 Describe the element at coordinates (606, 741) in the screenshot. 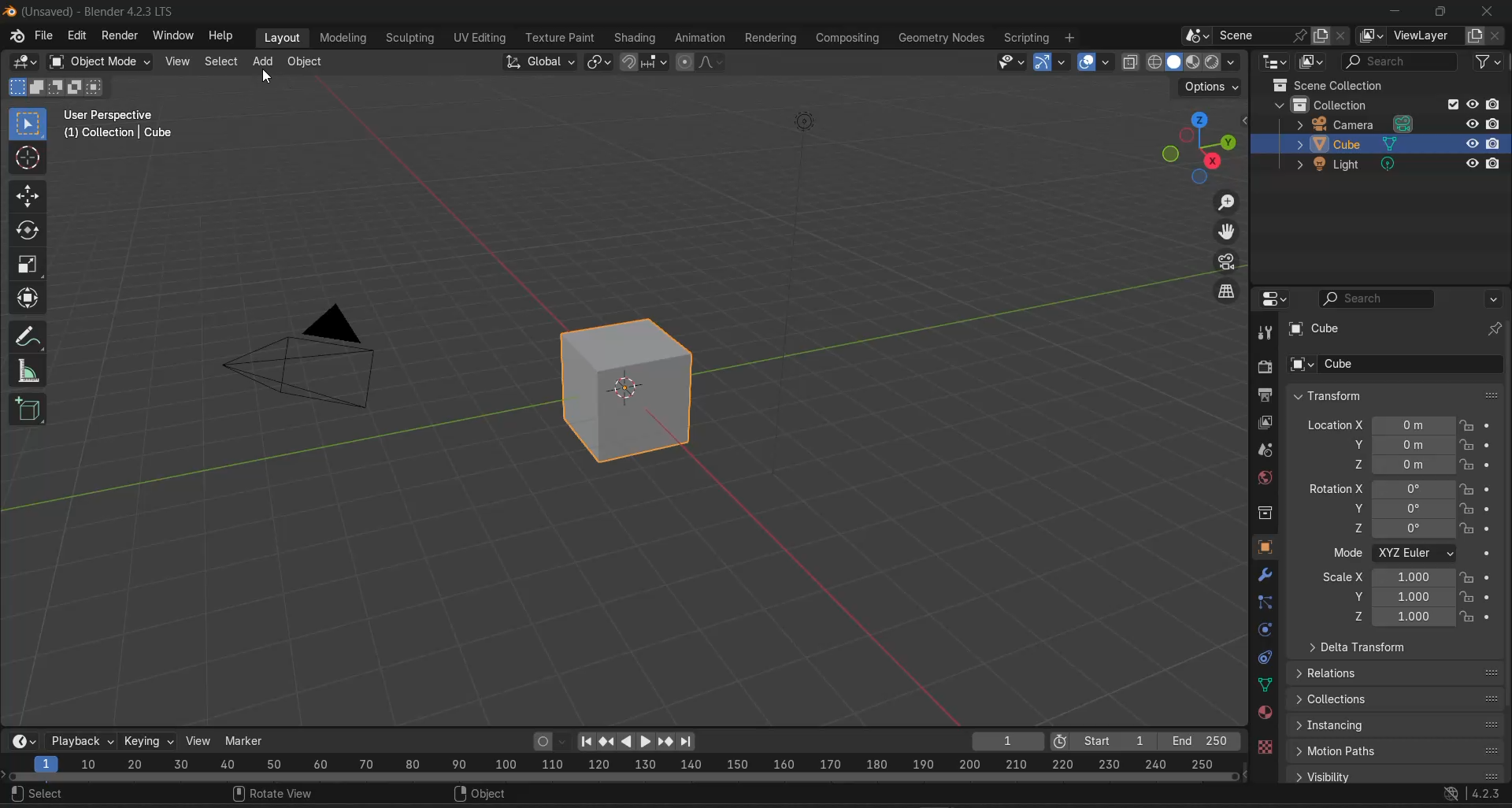

I see `jump to keyframe` at that location.